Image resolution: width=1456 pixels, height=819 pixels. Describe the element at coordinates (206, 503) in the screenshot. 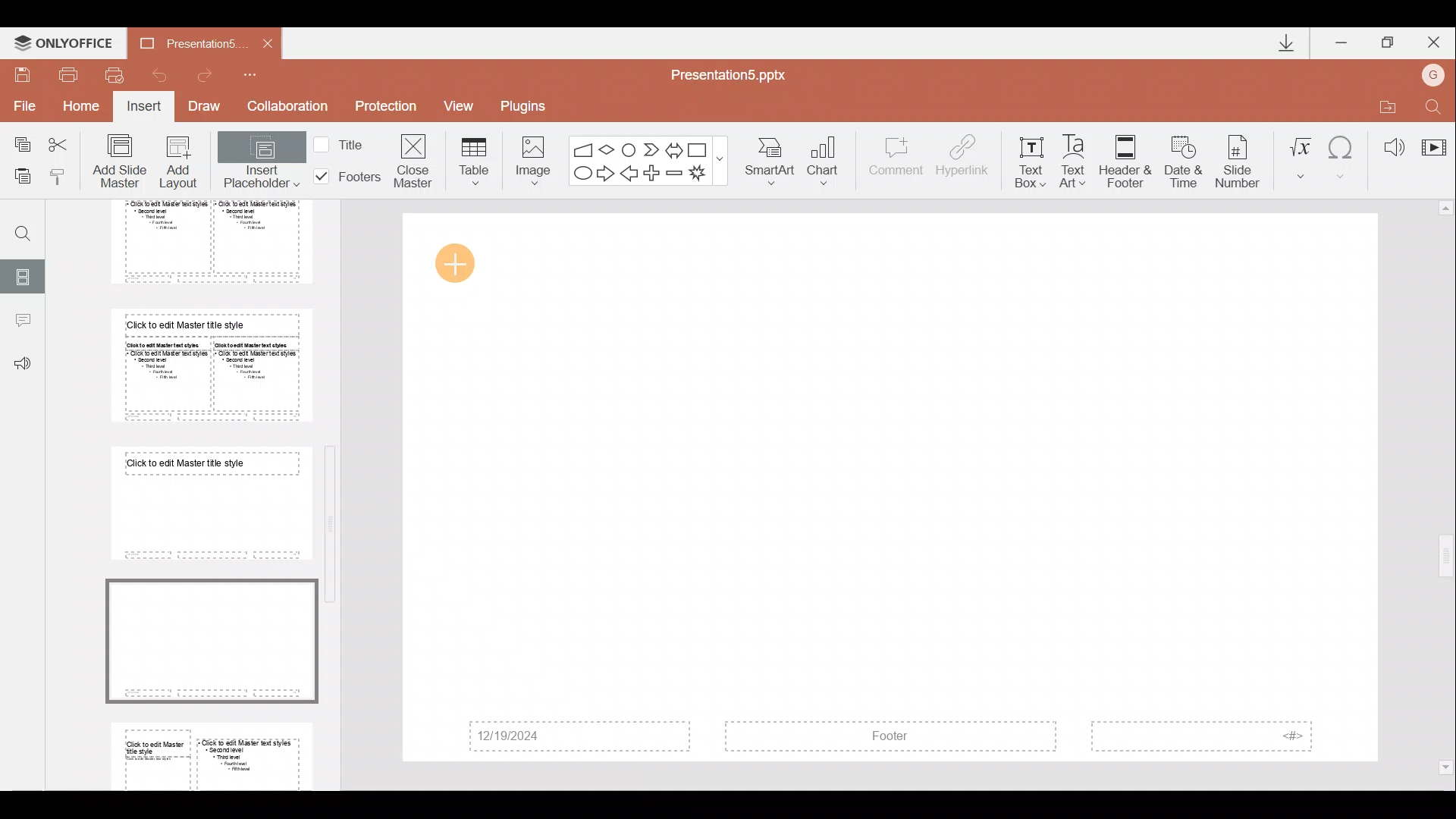

I see `Slide 7` at that location.